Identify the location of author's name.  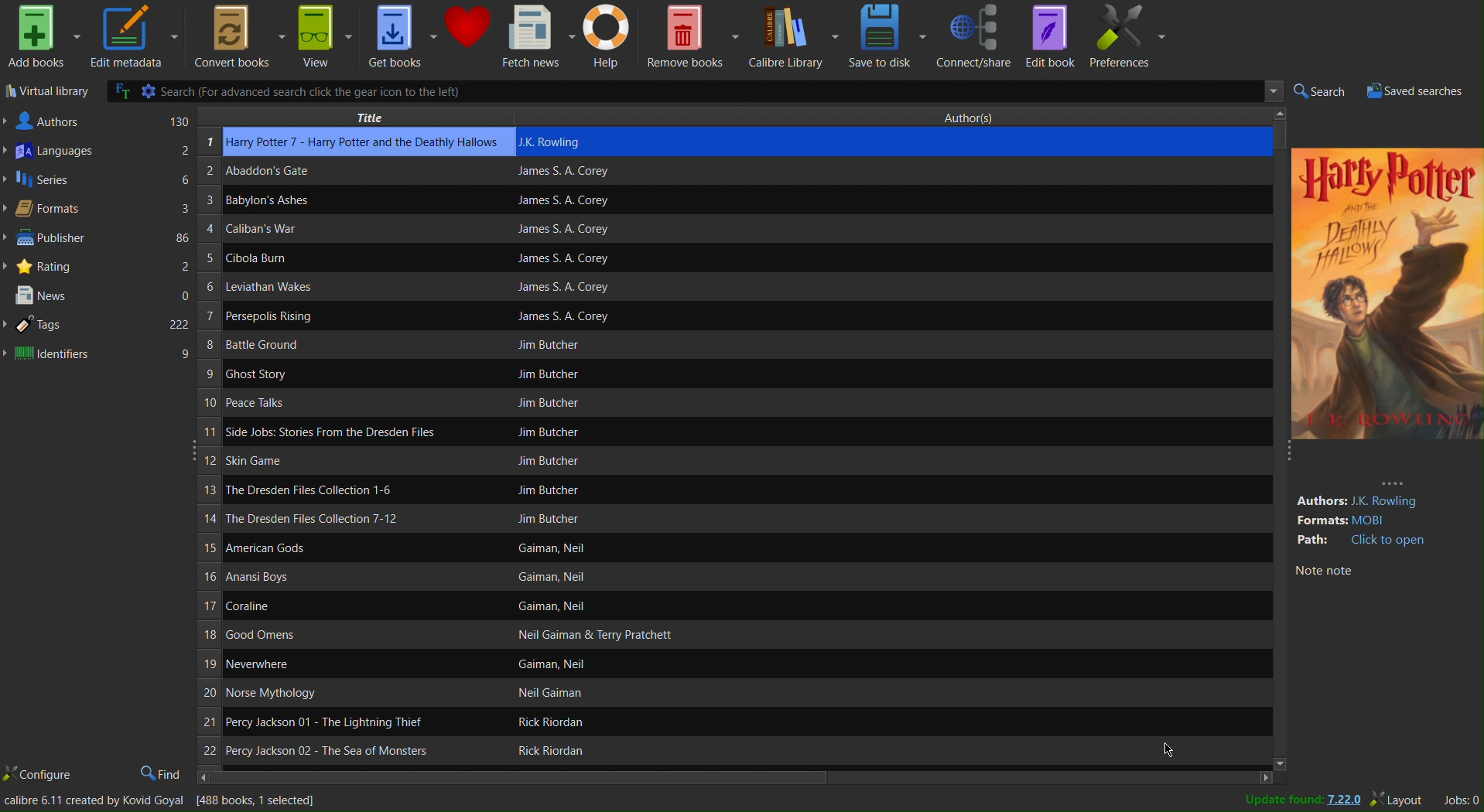
(887, 142).